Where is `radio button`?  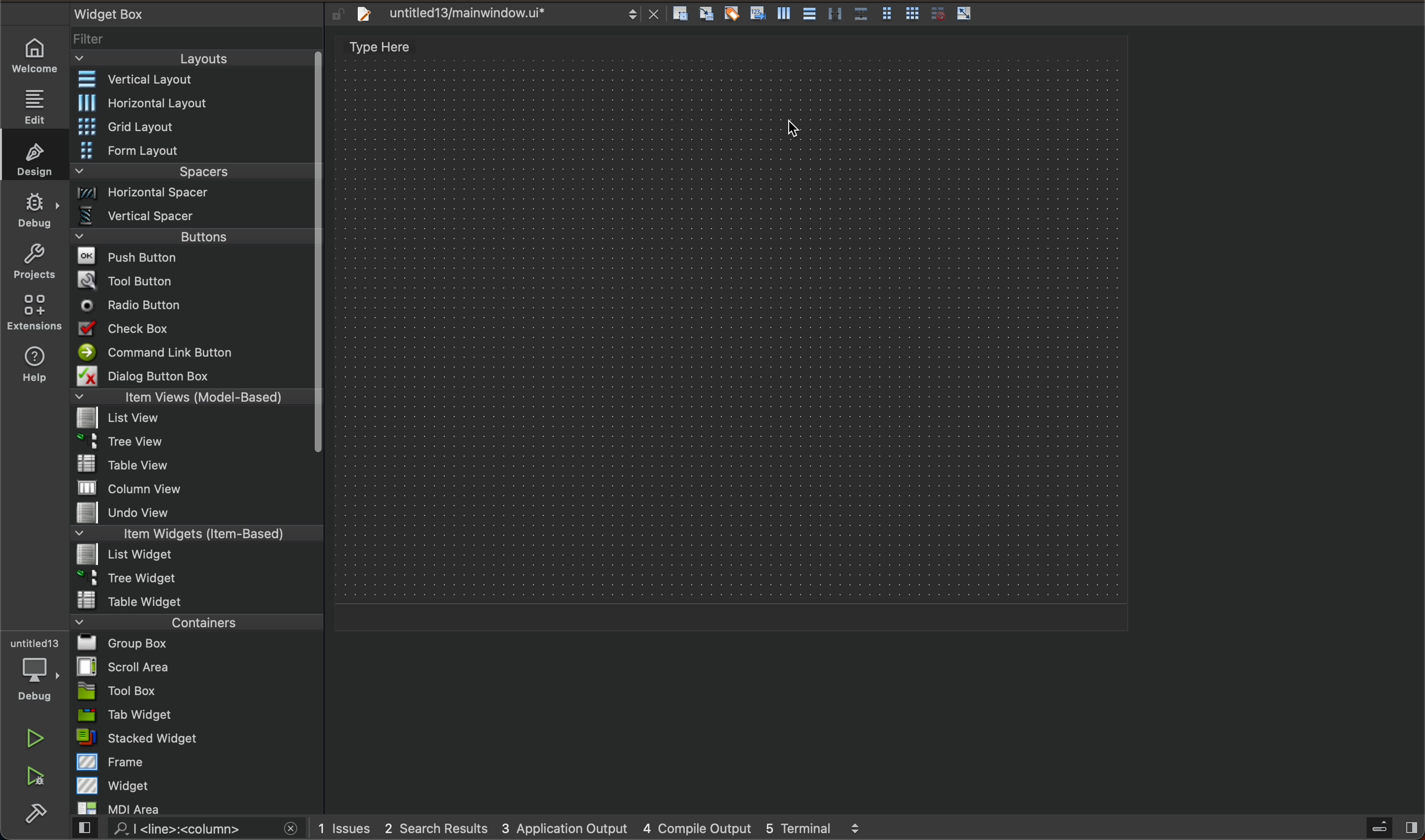
radio button is located at coordinates (191, 304).